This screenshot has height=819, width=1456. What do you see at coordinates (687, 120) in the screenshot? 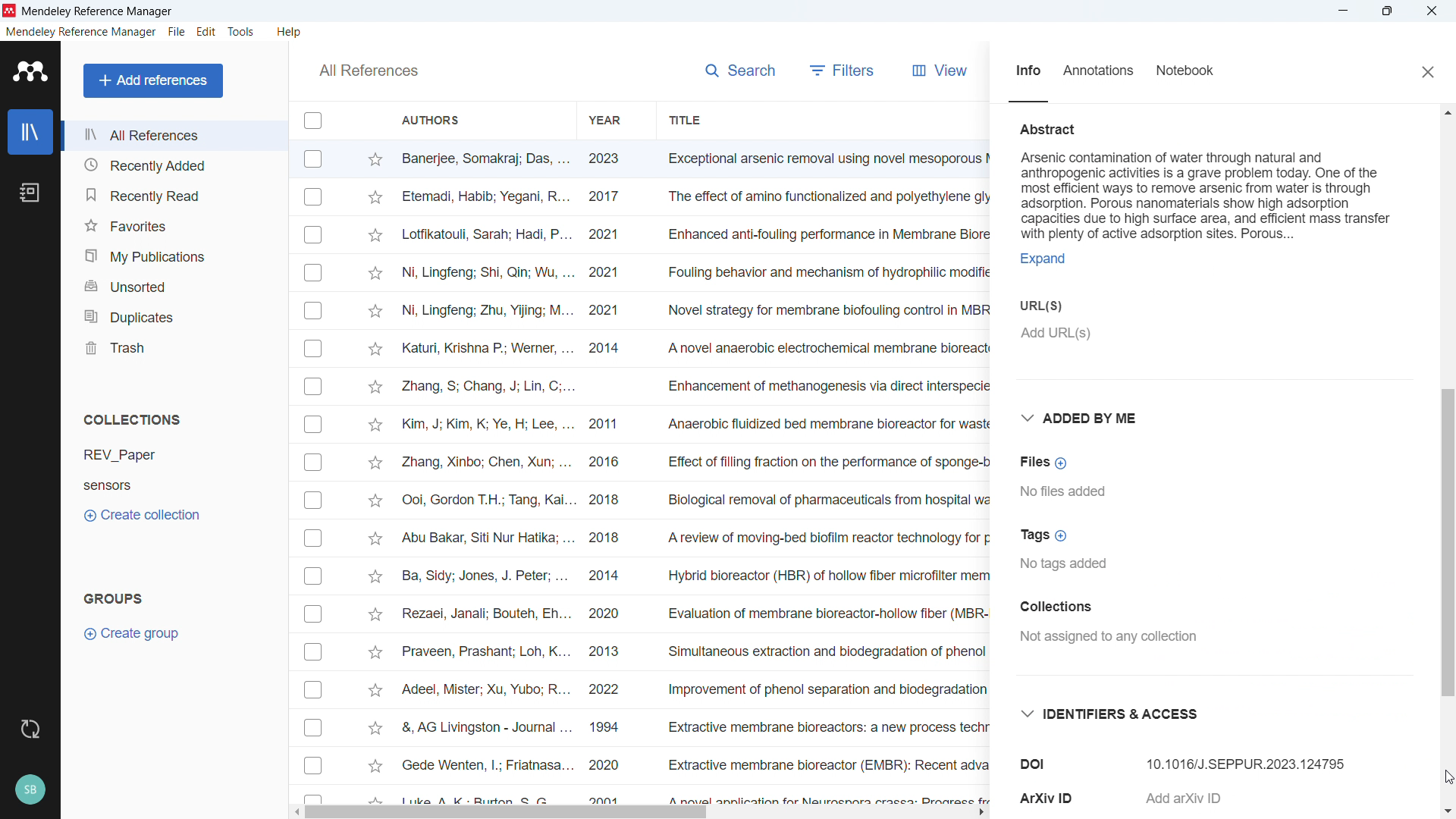
I see `Sort by title ` at bounding box center [687, 120].